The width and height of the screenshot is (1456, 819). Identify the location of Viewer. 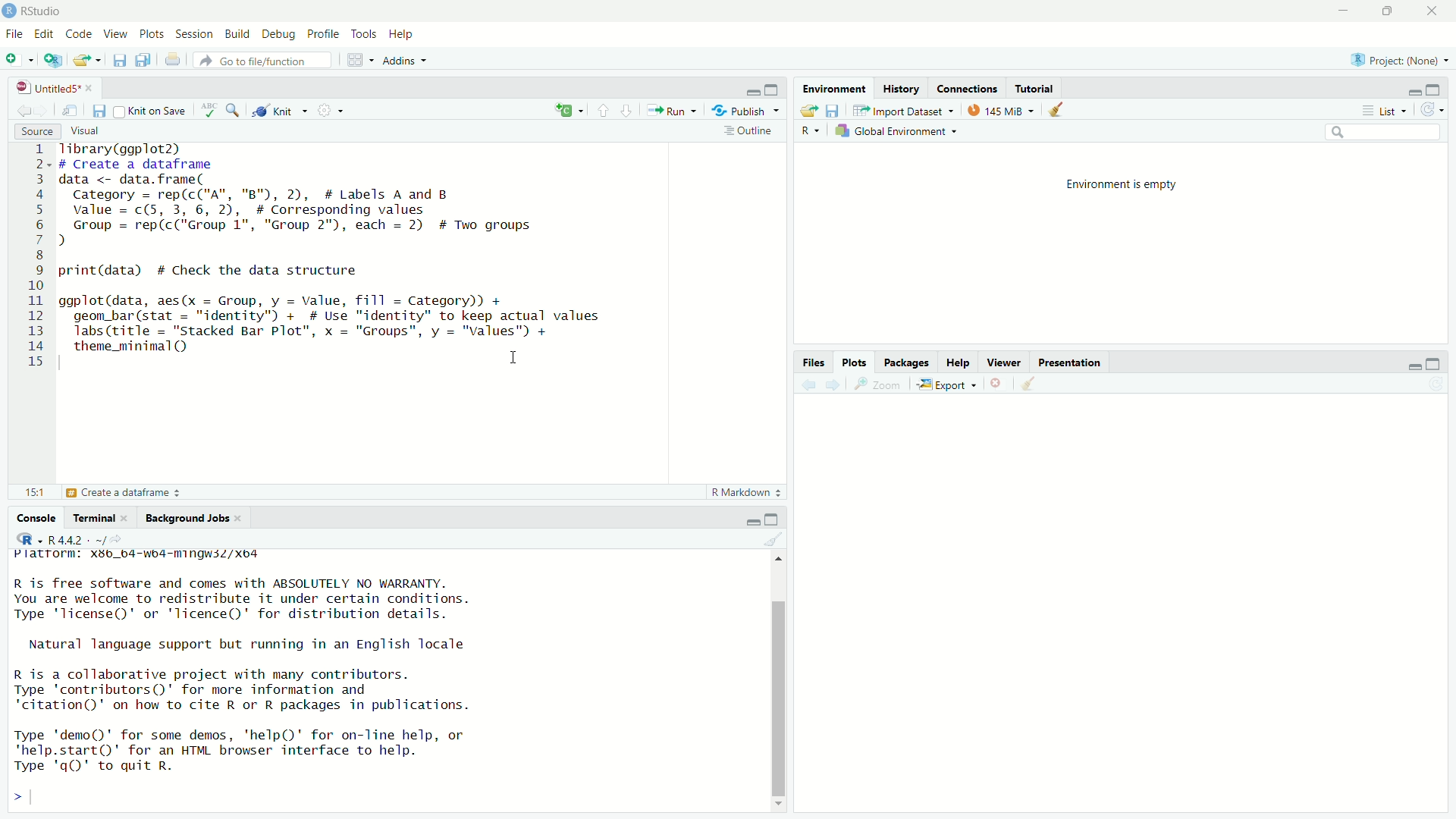
(1003, 362).